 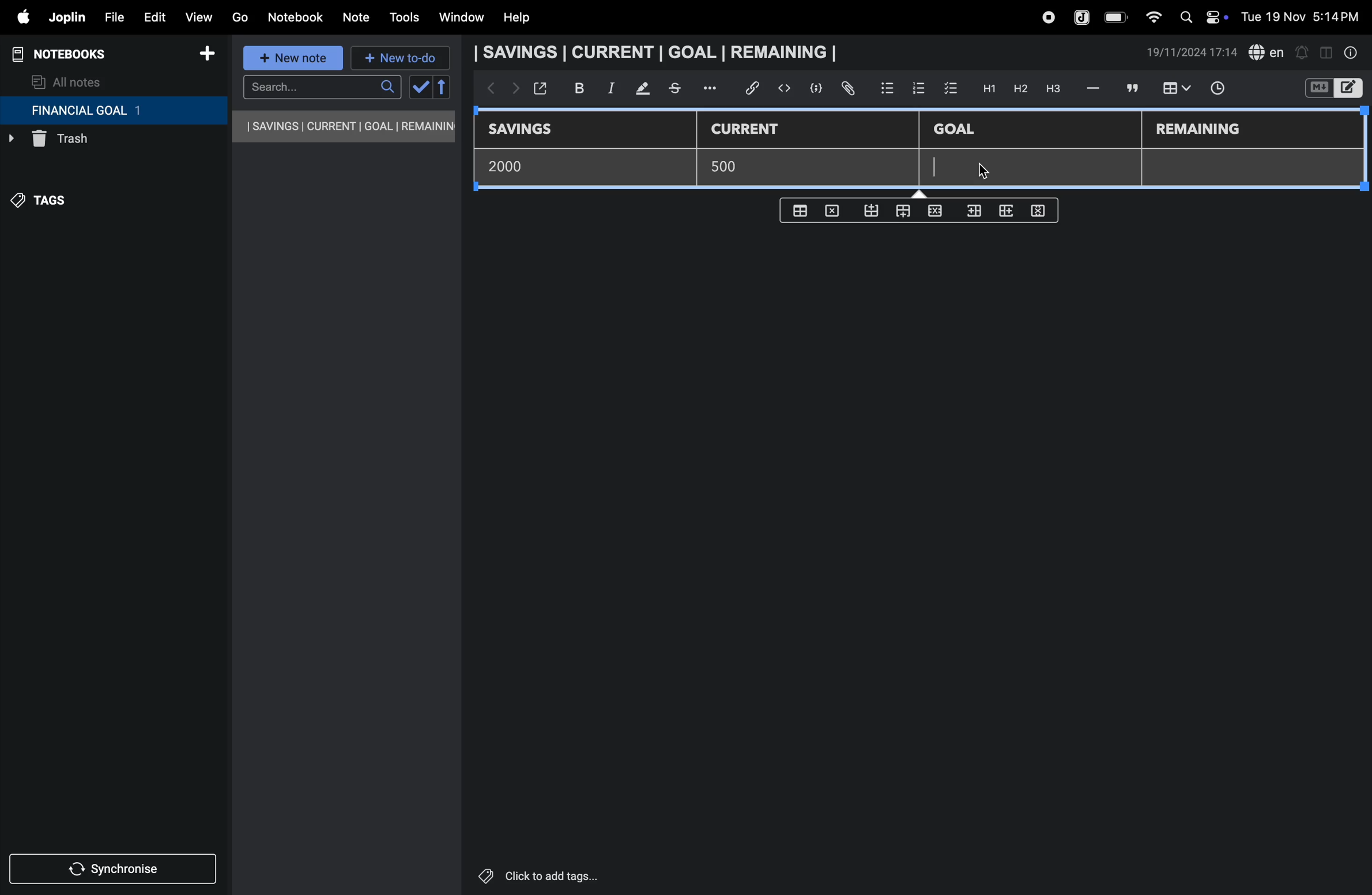 I want to click on 500, so click(x=731, y=167).